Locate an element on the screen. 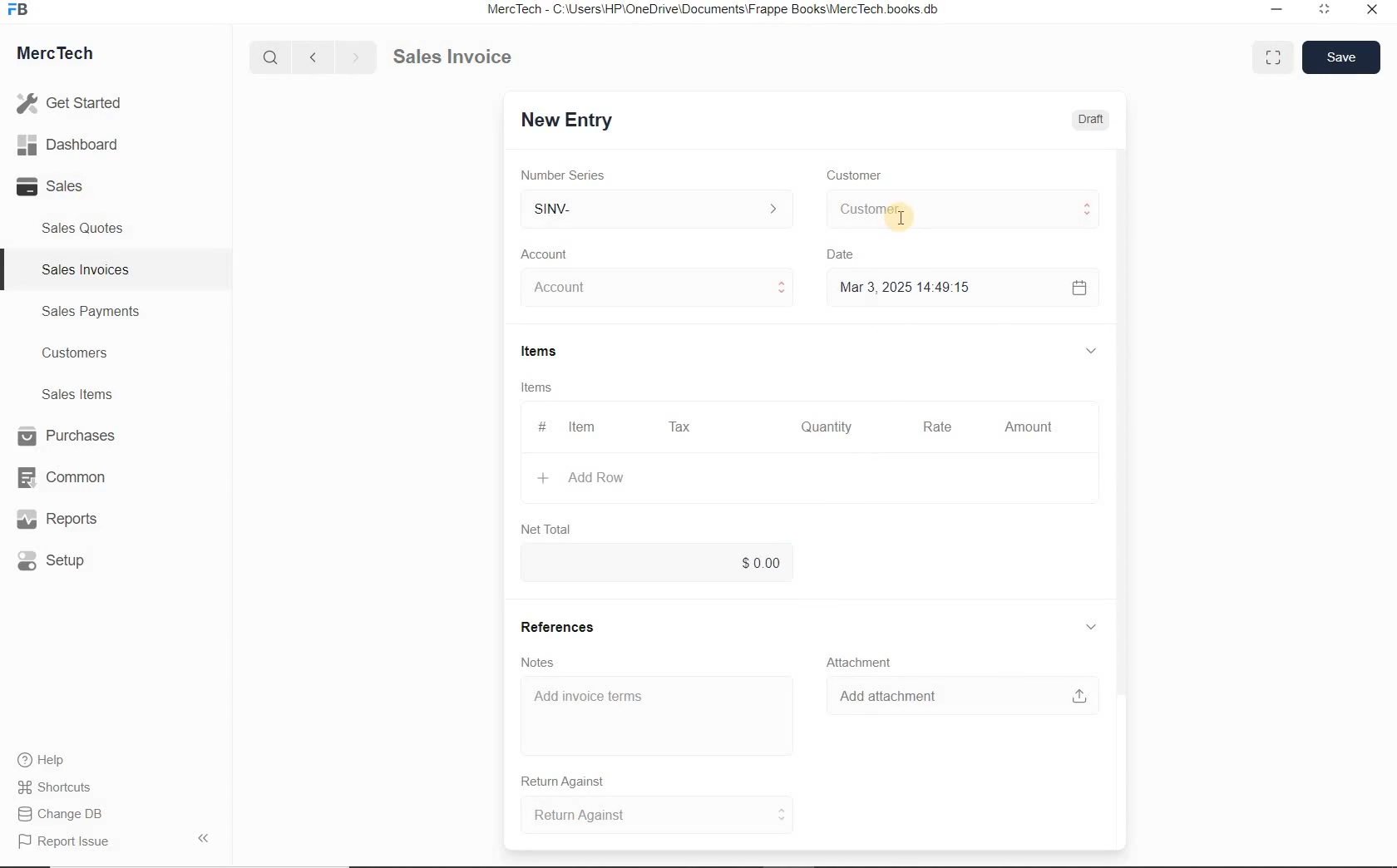 The height and width of the screenshot is (868, 1397). Purchases is located at coordinates (69, 437).